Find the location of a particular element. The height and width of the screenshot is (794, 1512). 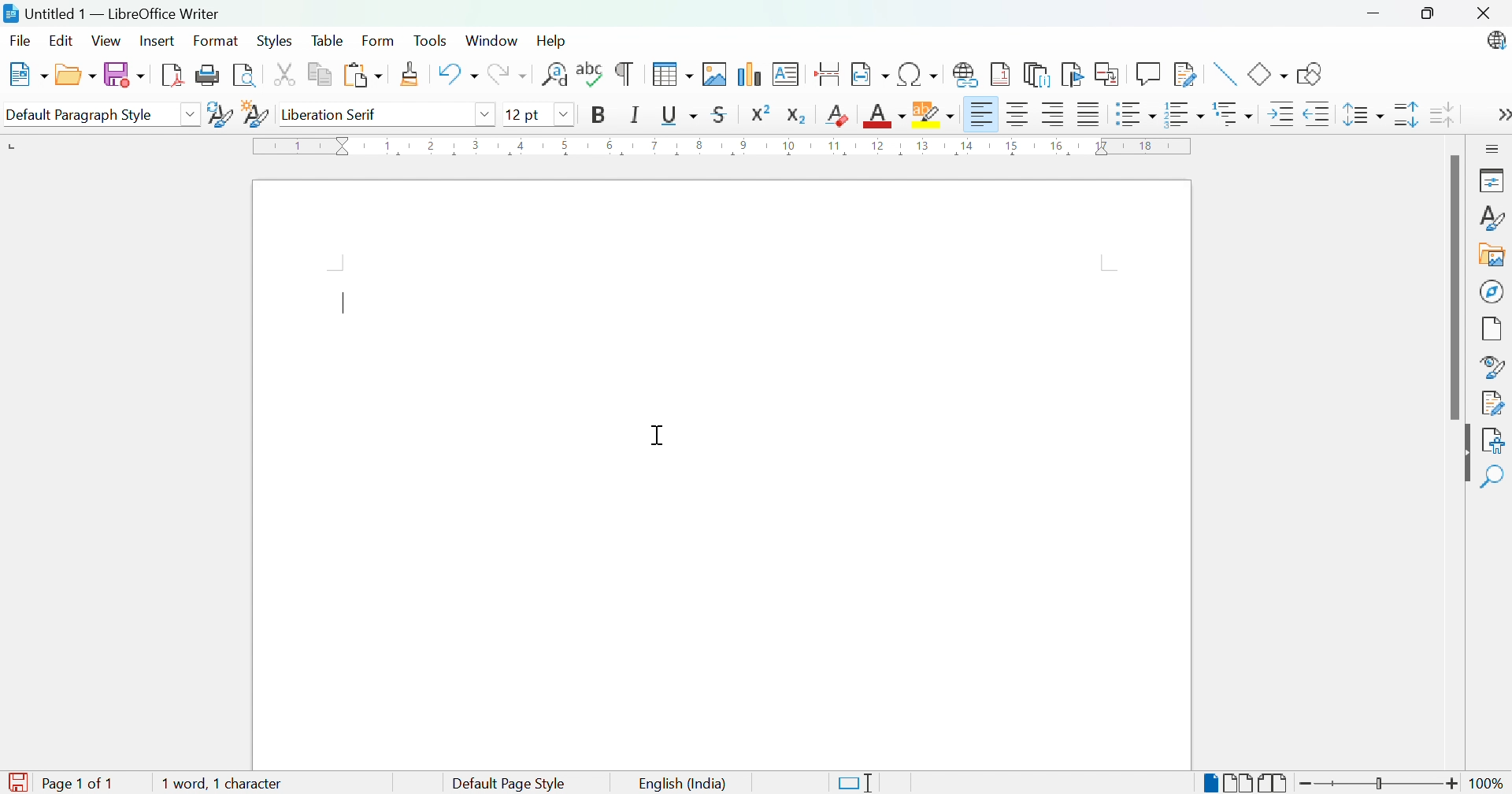

More is located at coordinates (1503, 117).